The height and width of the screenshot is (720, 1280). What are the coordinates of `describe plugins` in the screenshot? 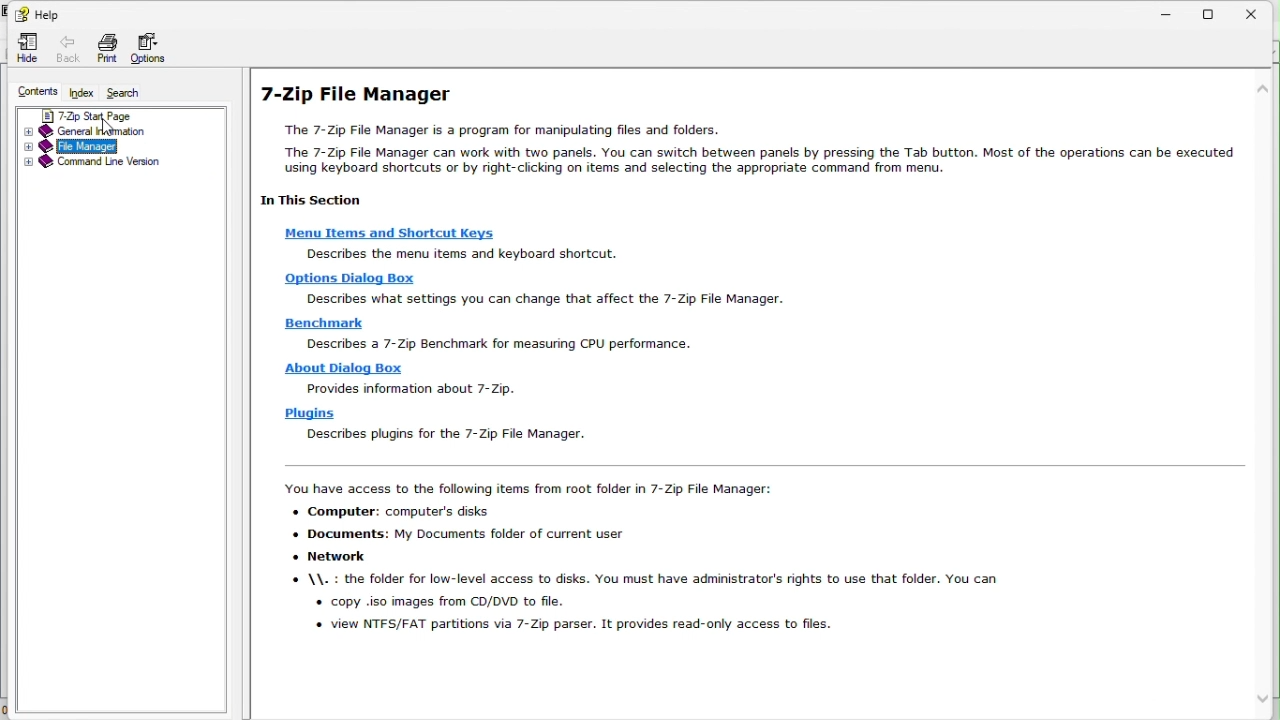 It's located at (461, 434).